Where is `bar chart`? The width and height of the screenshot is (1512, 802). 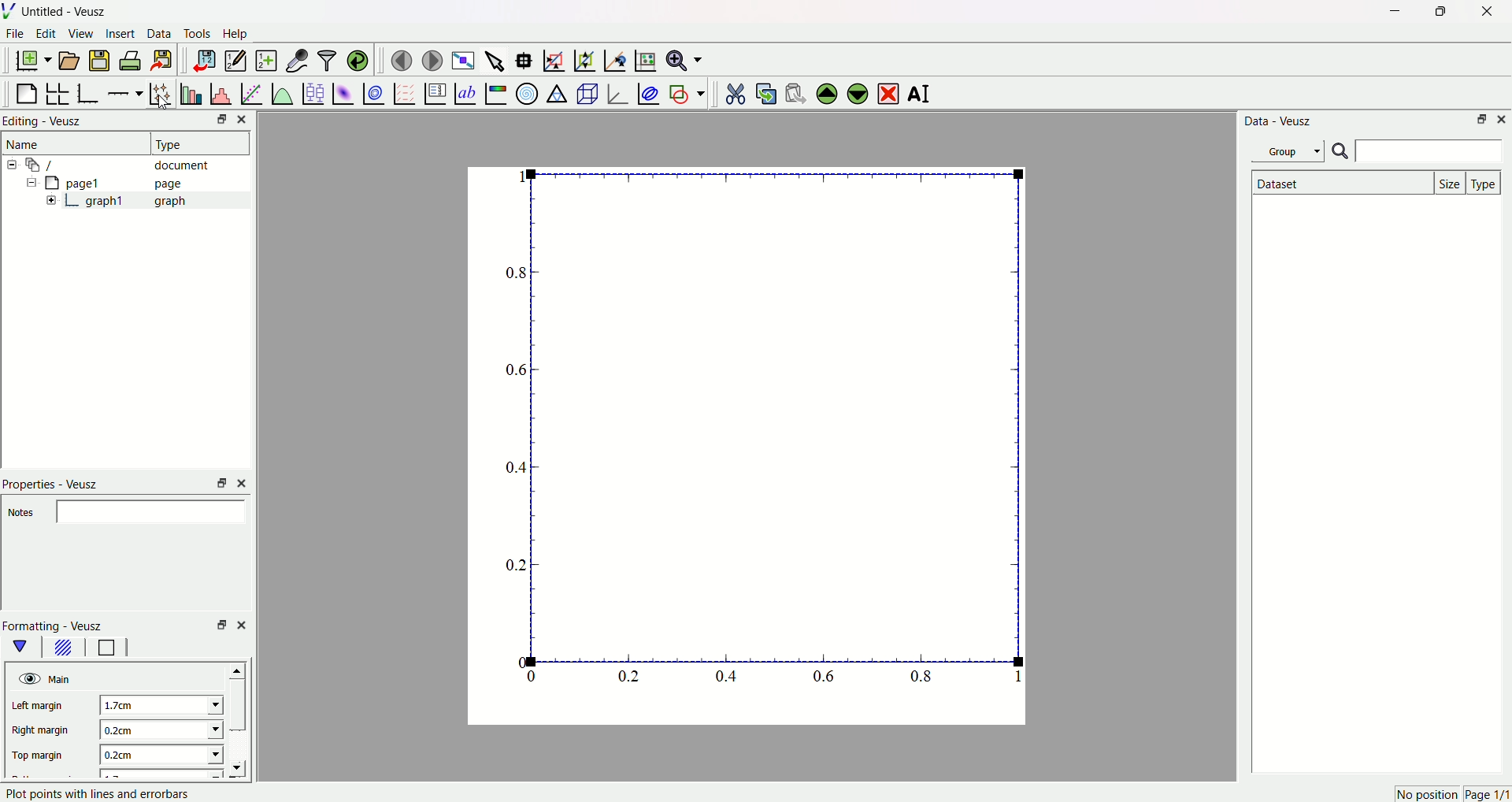
bar chart is located at coordinates (189, 91).